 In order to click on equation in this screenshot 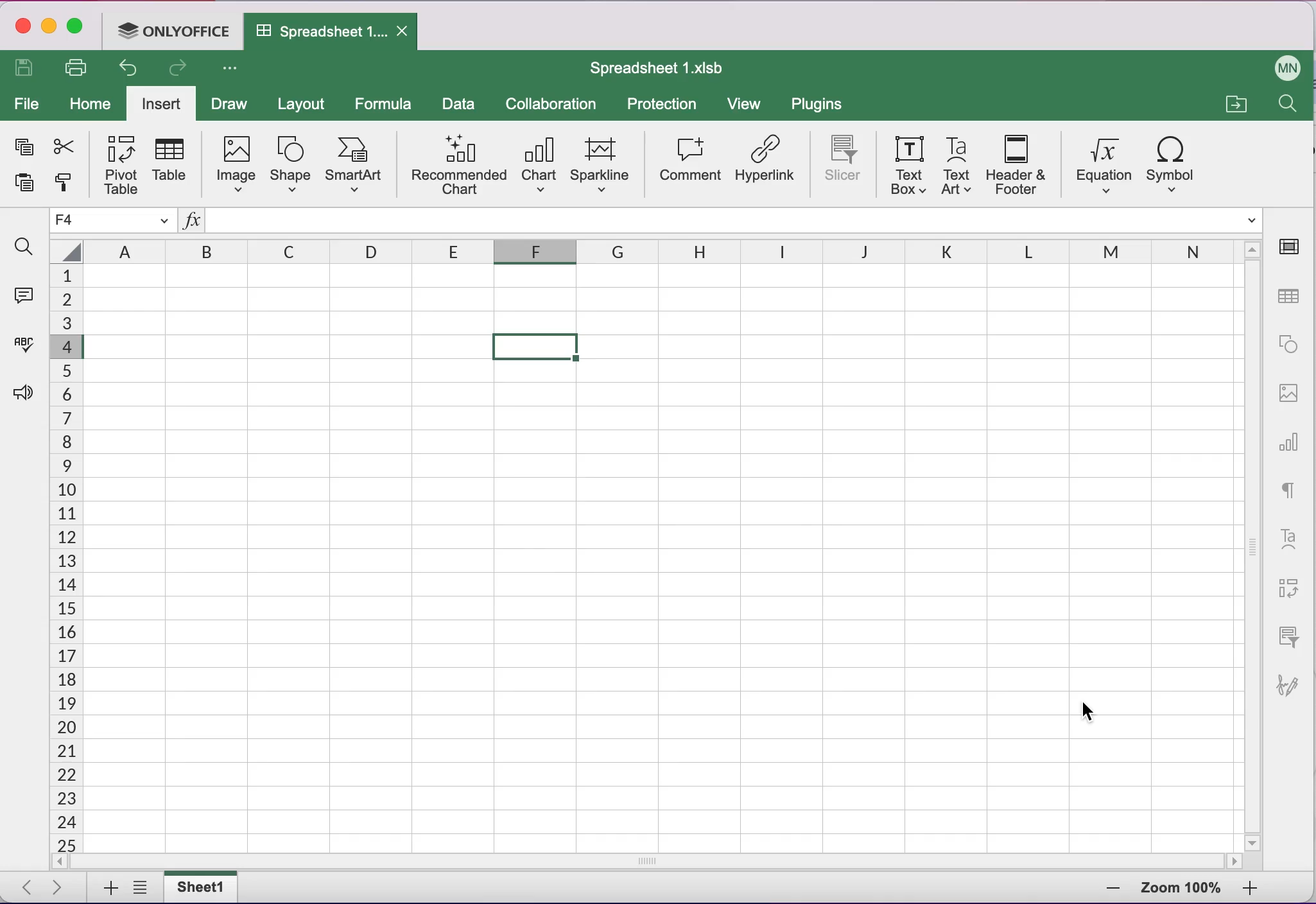, I will do `click(1100, 161)`.